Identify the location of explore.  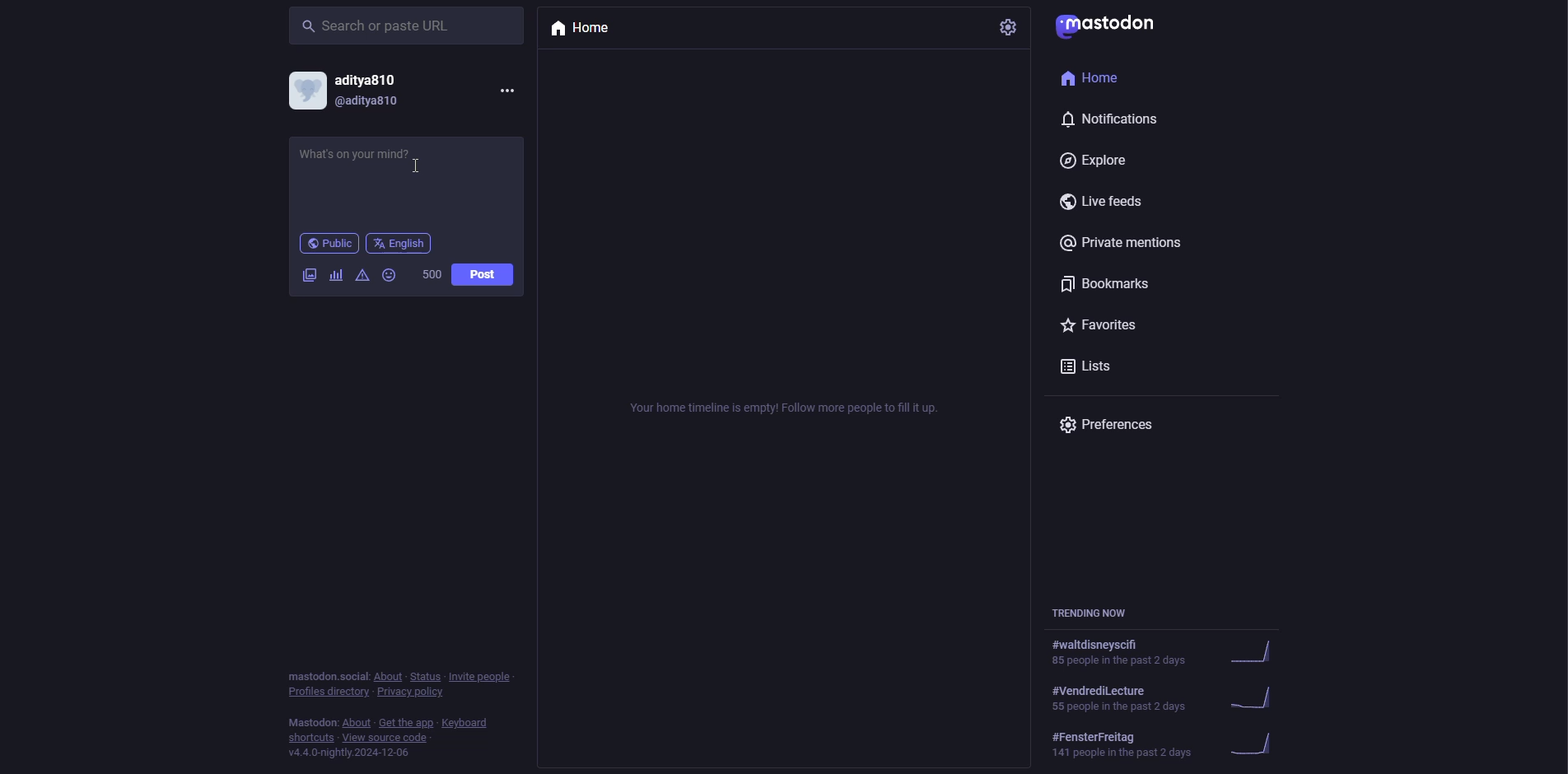
(1101, 162).